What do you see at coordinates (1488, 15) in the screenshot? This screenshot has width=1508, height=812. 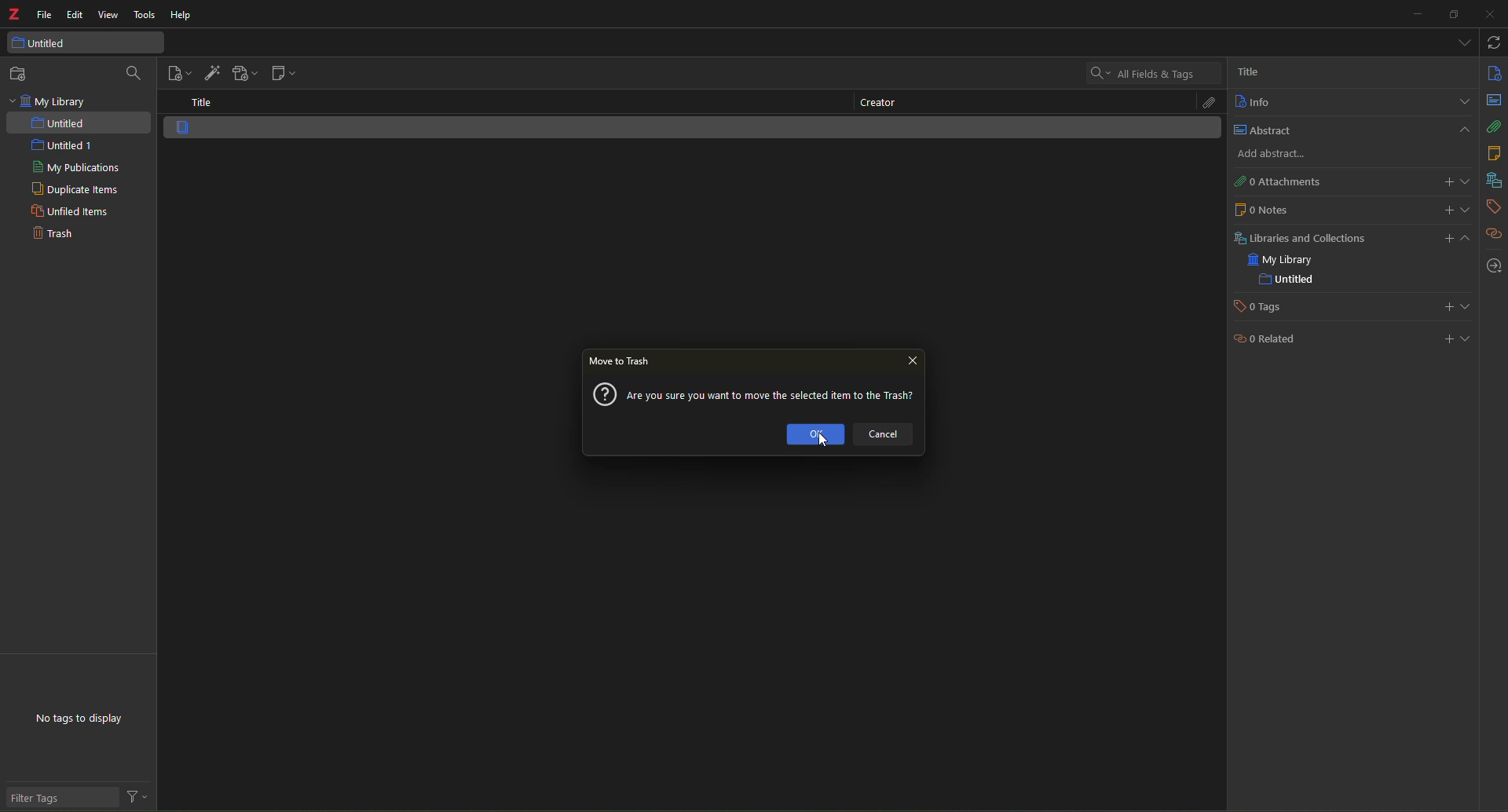 I see `close` at bounding box center [1488, 15].